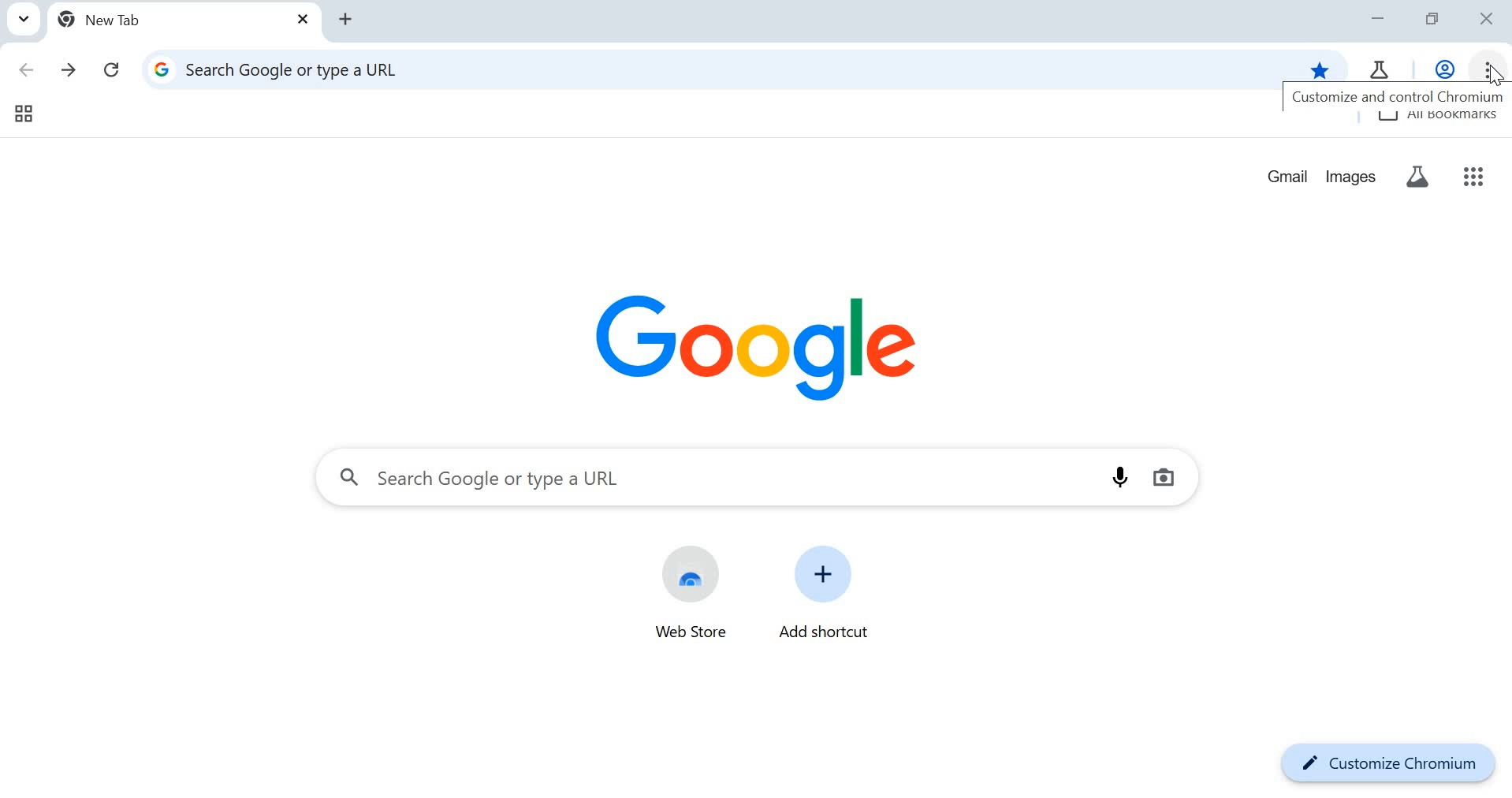  I want to click on customize and control chromium, so click(1490, 69).